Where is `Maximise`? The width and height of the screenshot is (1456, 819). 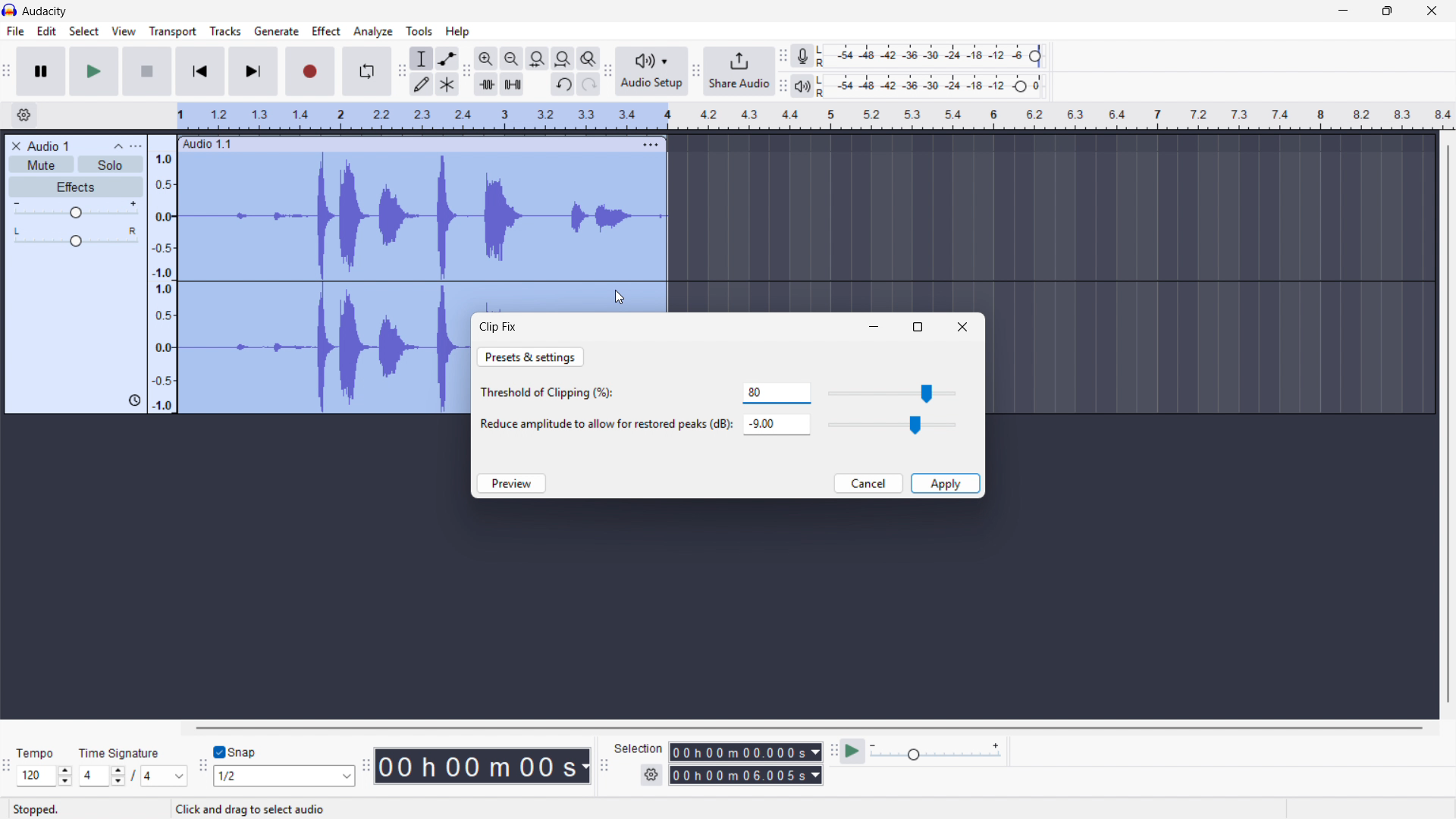
Maximise is located at coordinates (1389, 11).